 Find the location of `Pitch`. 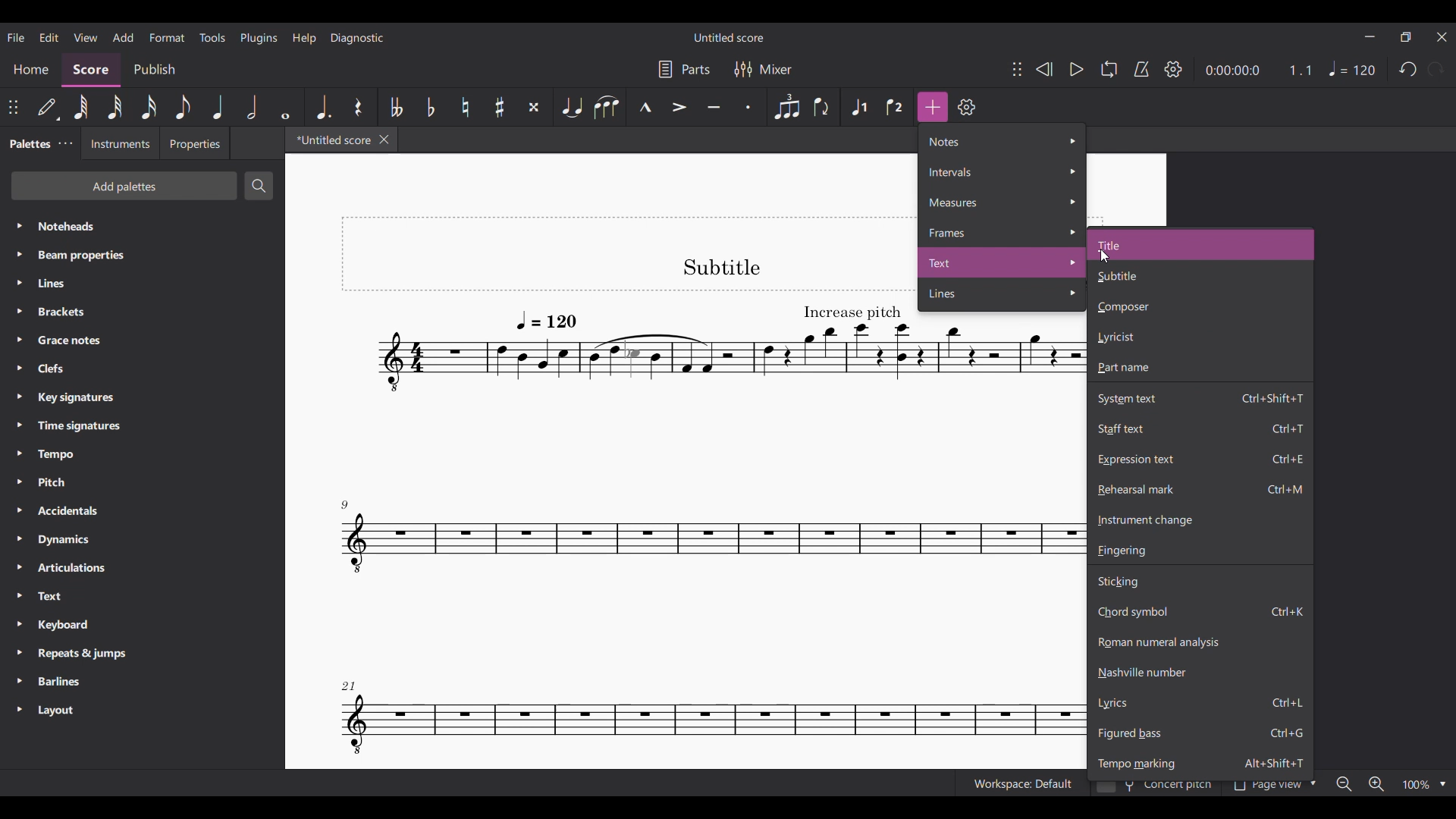

Pitch is located at coordinates (143, 482).